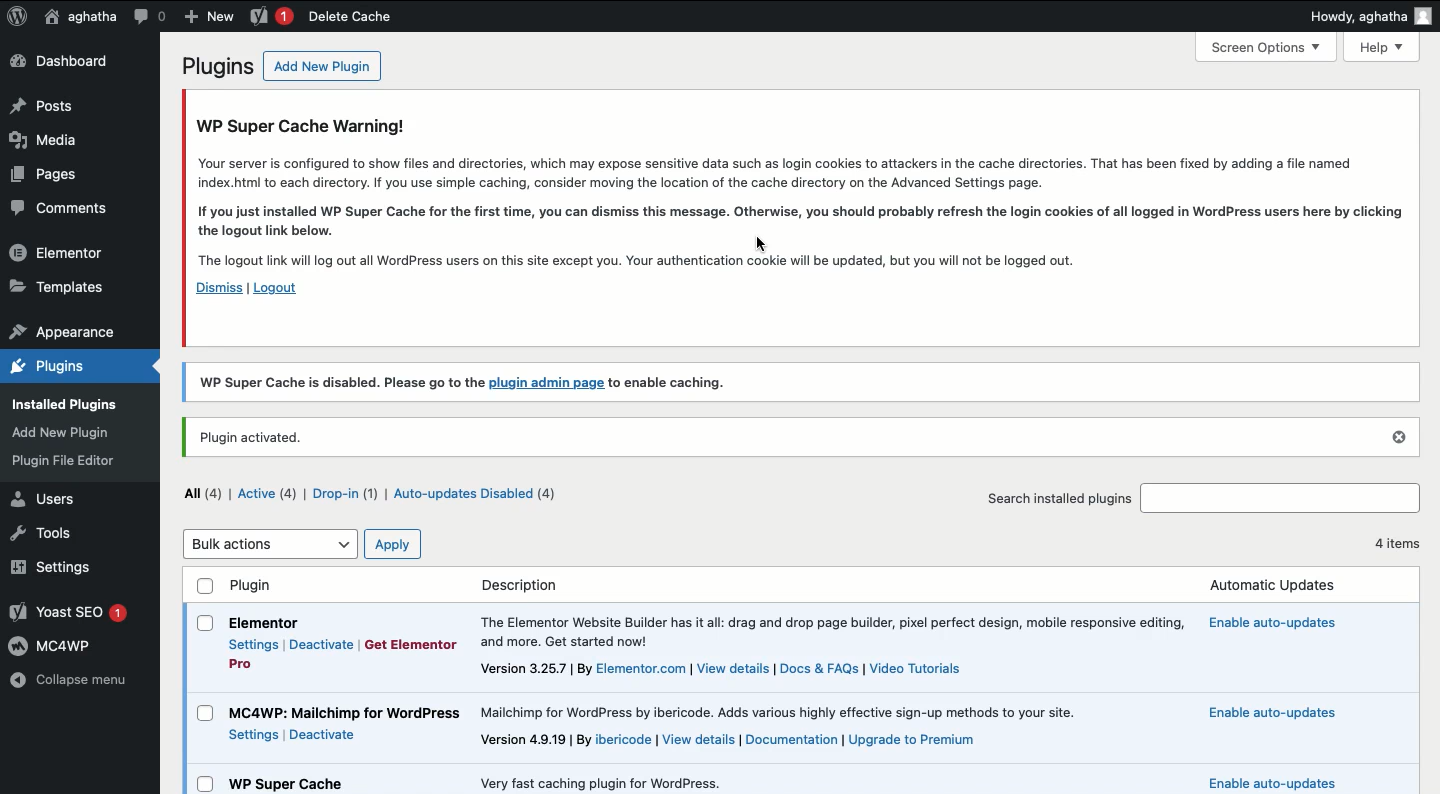  I want to click on Usera, so click(80, 17).